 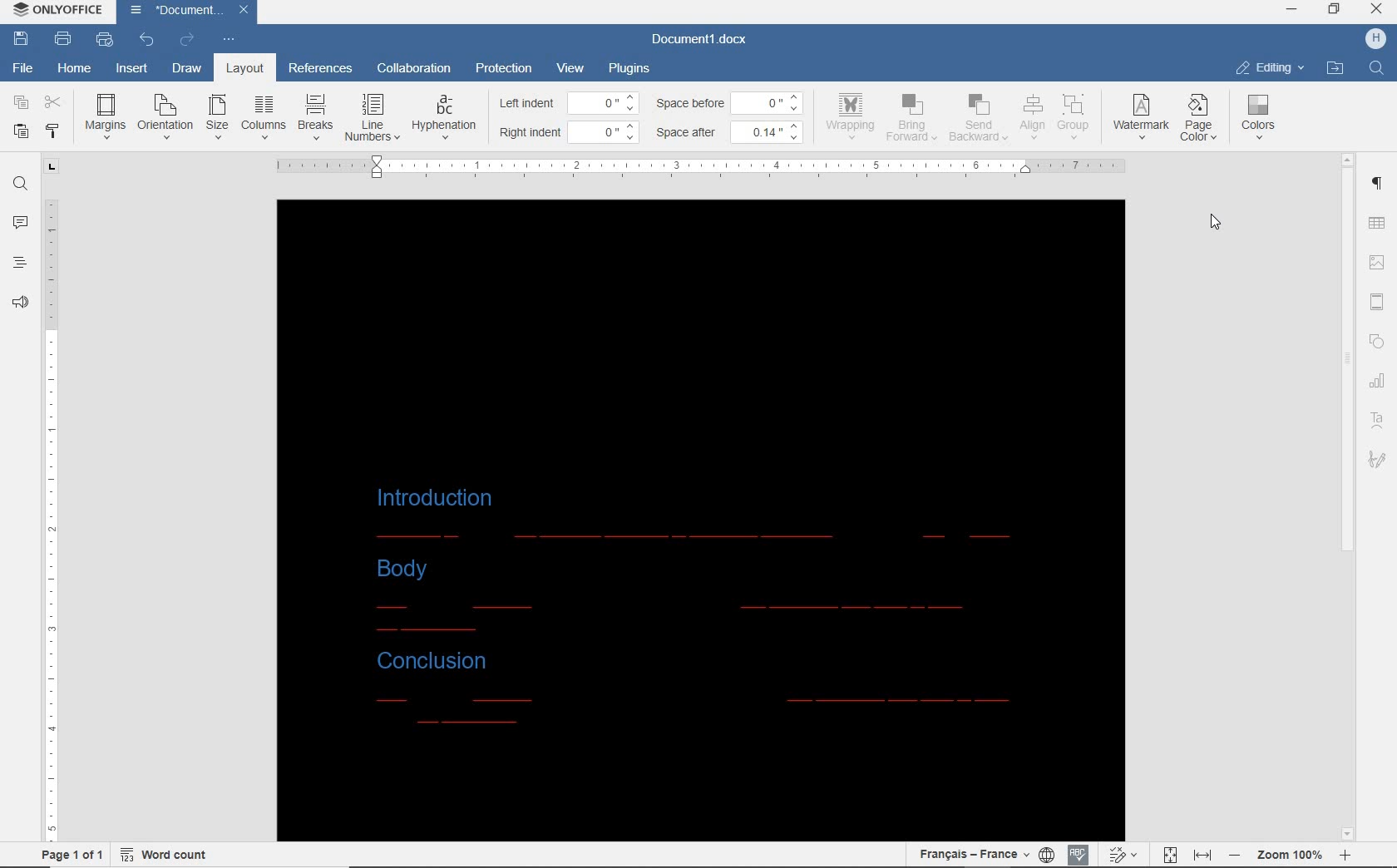 I want to click on image, so click(x=1379, y=264).